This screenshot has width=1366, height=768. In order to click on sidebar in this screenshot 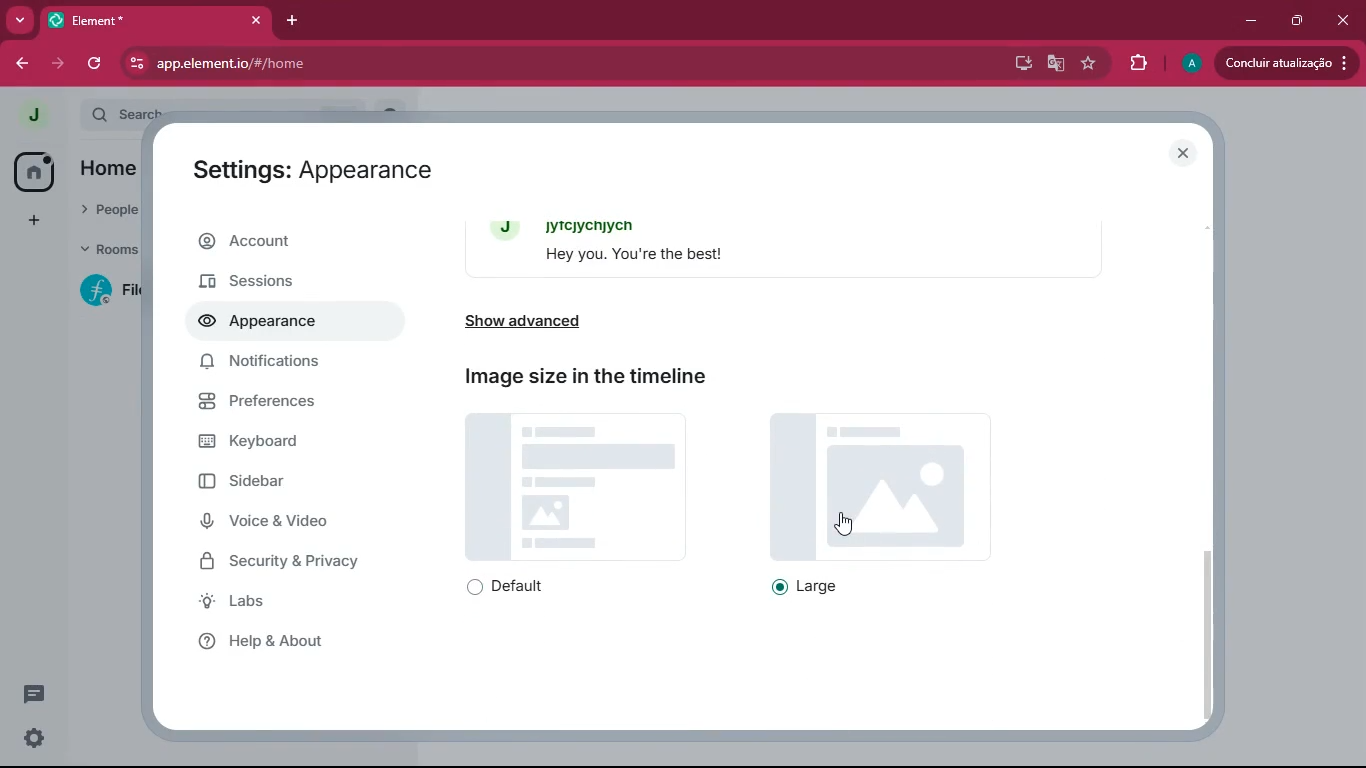, I will do `click(286, 486)`.